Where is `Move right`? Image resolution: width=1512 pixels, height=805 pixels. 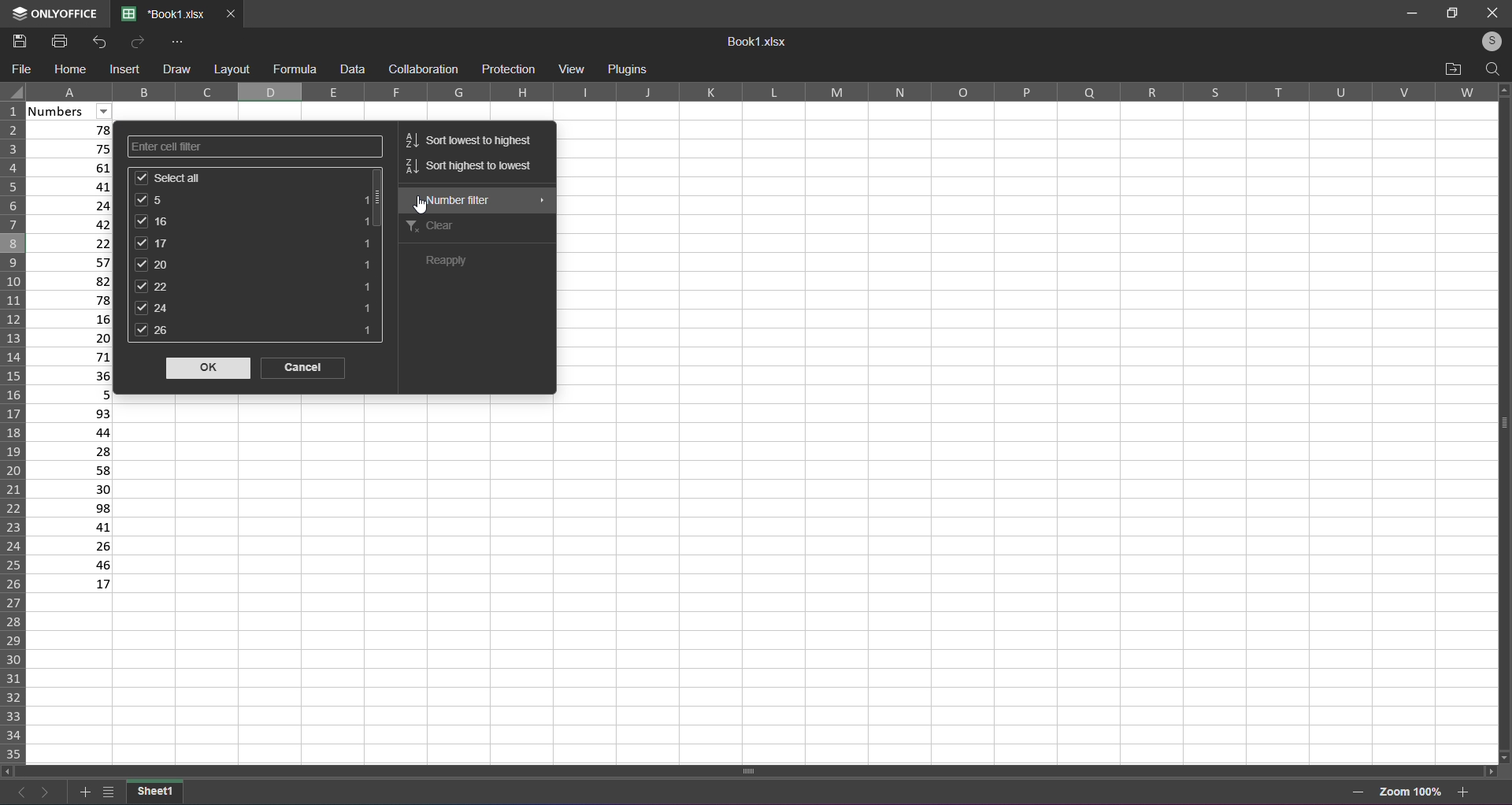
Move right is located at coordinates (1488, 770).